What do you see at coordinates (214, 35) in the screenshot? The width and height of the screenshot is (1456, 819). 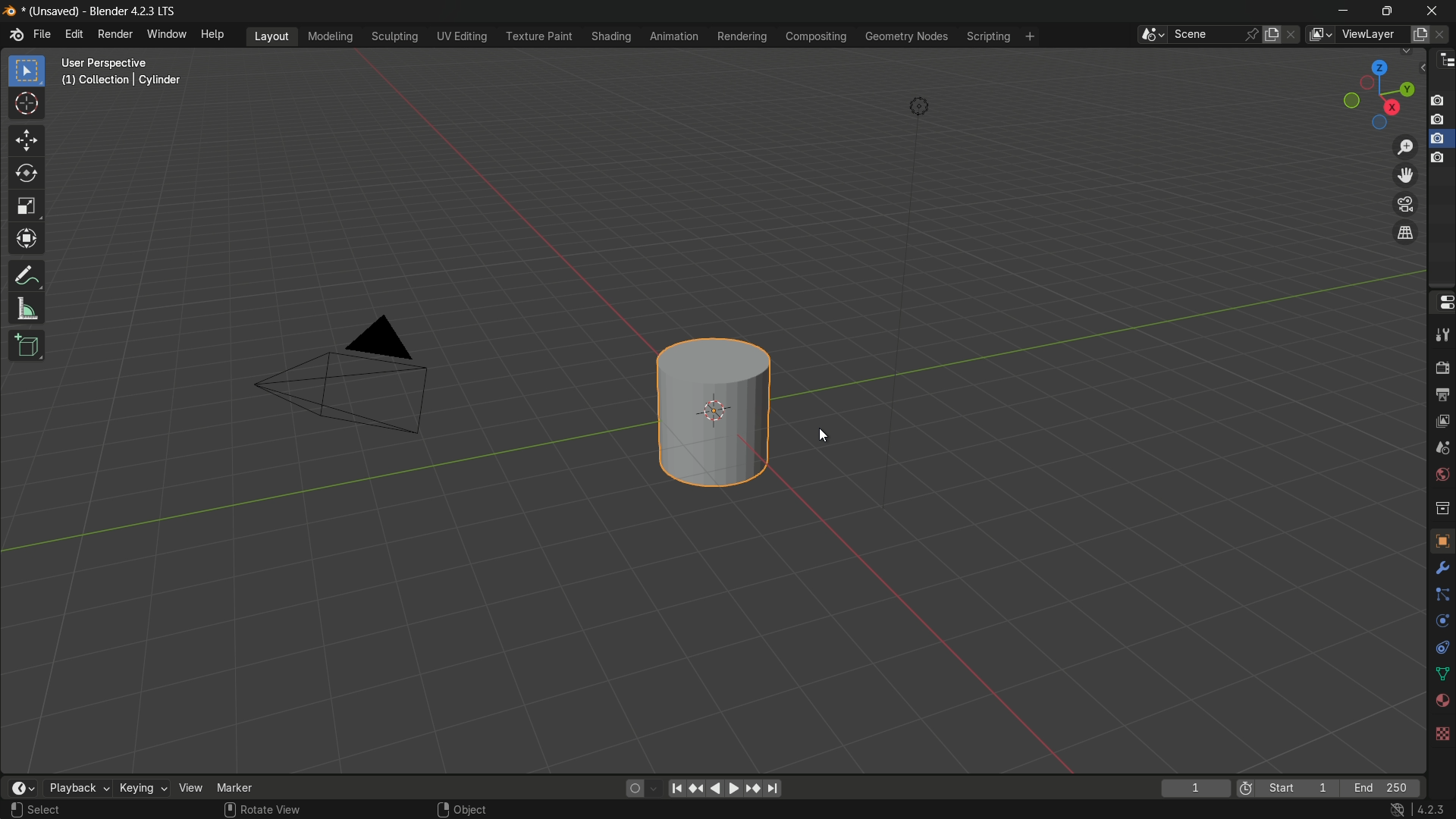 I see `help menu` at bounding box center [214, 35].